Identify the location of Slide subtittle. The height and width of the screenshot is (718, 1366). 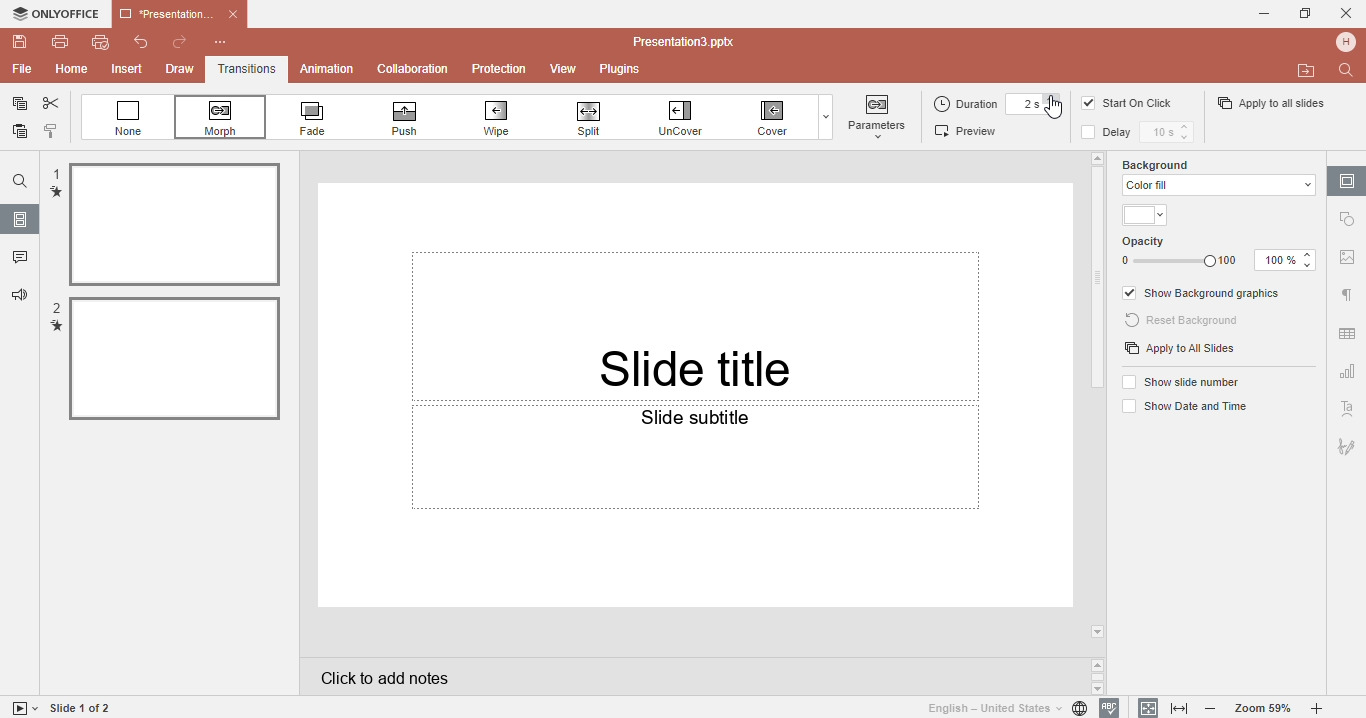
(695, 505).